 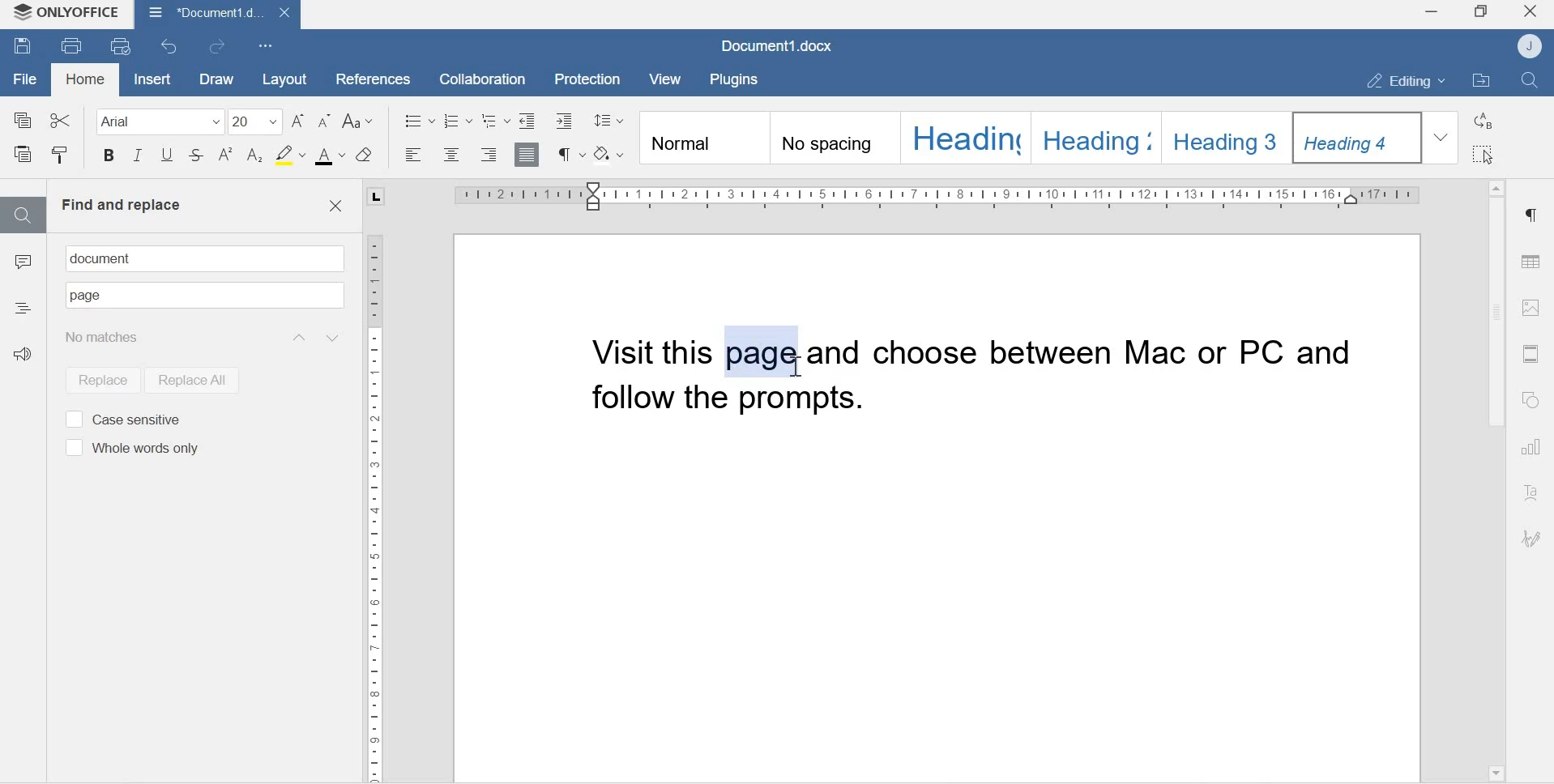 I want to click on Visit this, so click(x=655, y=352).